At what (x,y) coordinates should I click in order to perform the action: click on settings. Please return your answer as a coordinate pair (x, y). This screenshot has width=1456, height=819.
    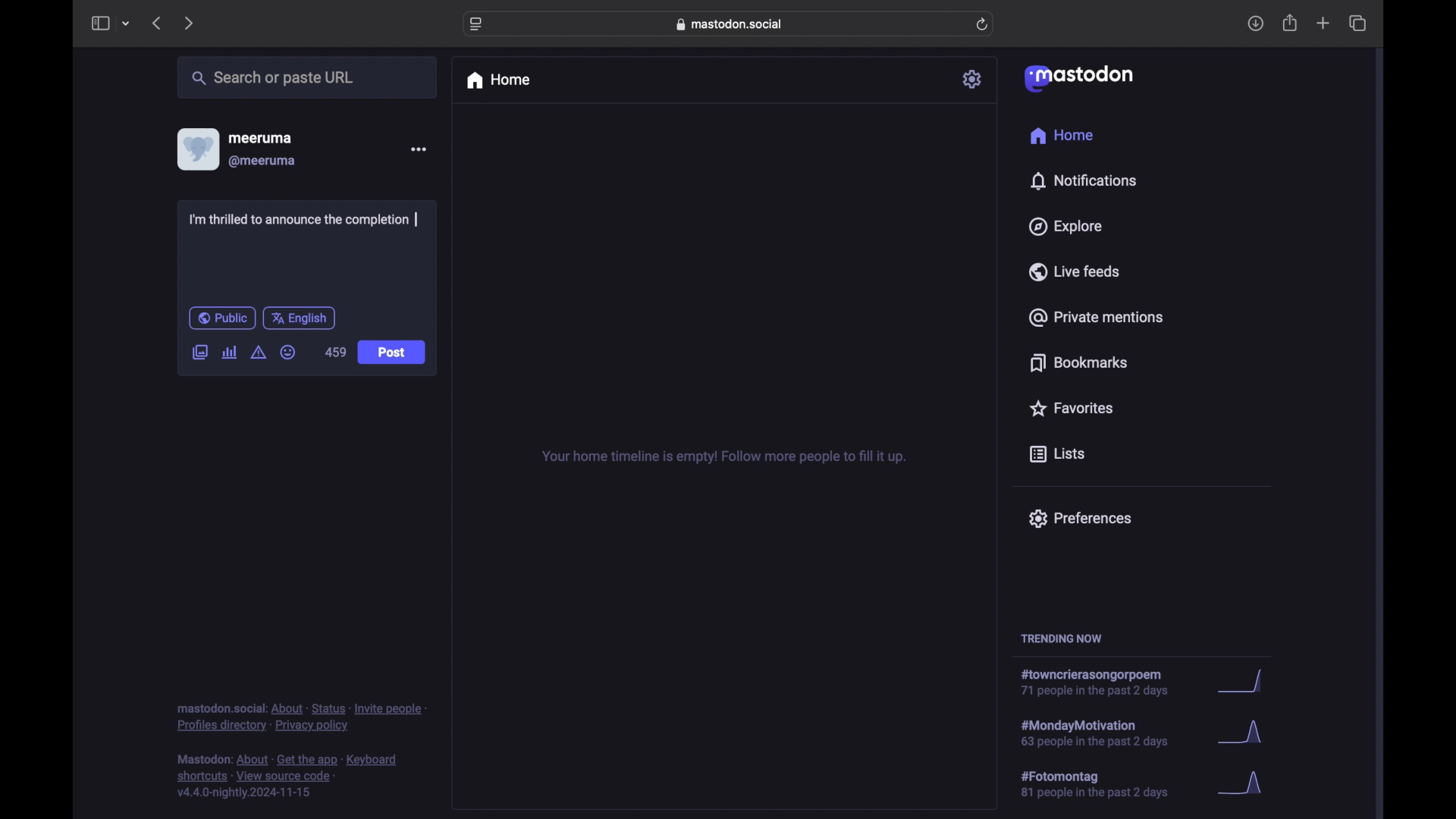
    Looking at the image, I should click on (973, 79).